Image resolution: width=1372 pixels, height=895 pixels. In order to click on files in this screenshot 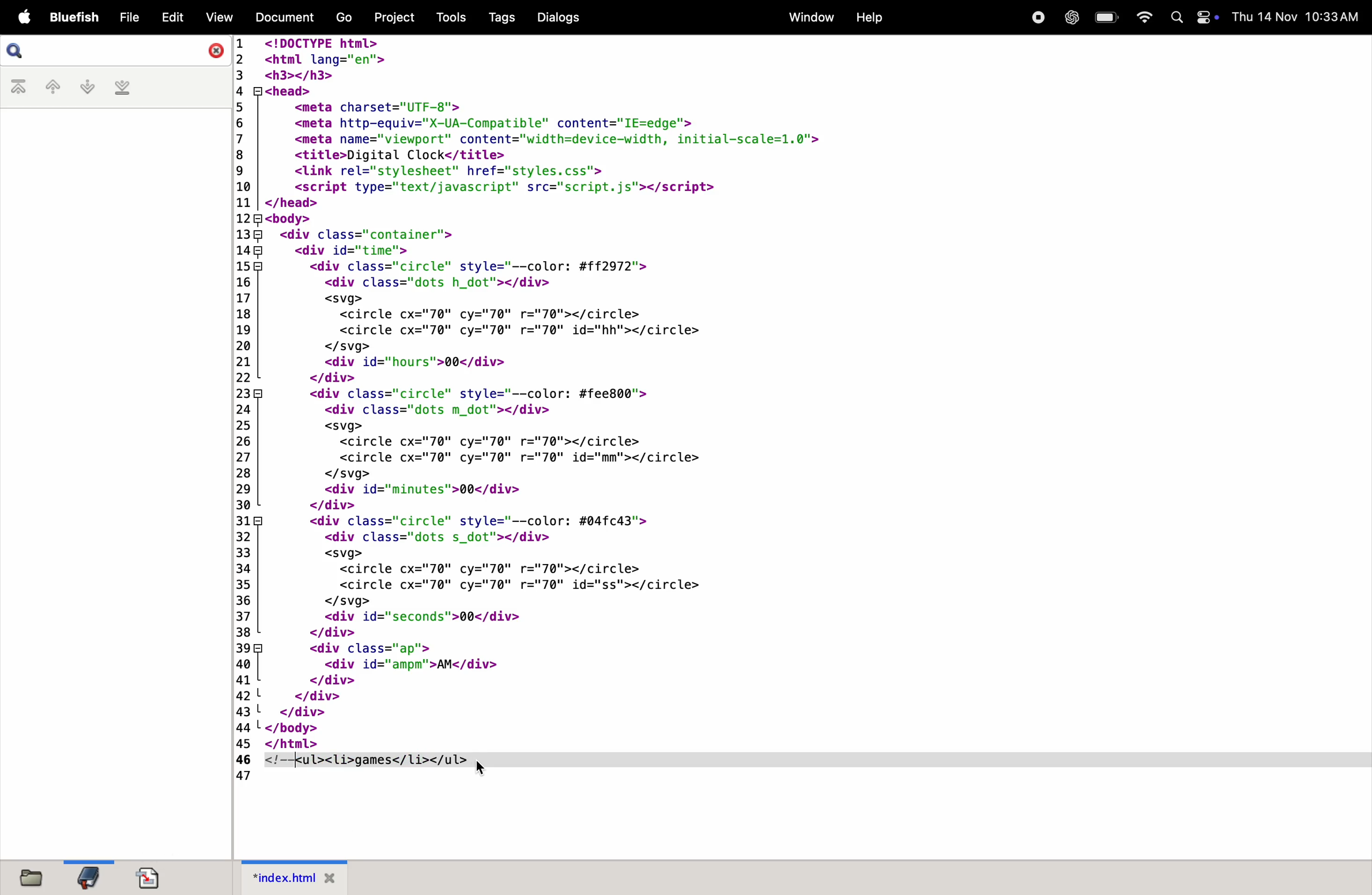, I will do `click(35, 878)`.